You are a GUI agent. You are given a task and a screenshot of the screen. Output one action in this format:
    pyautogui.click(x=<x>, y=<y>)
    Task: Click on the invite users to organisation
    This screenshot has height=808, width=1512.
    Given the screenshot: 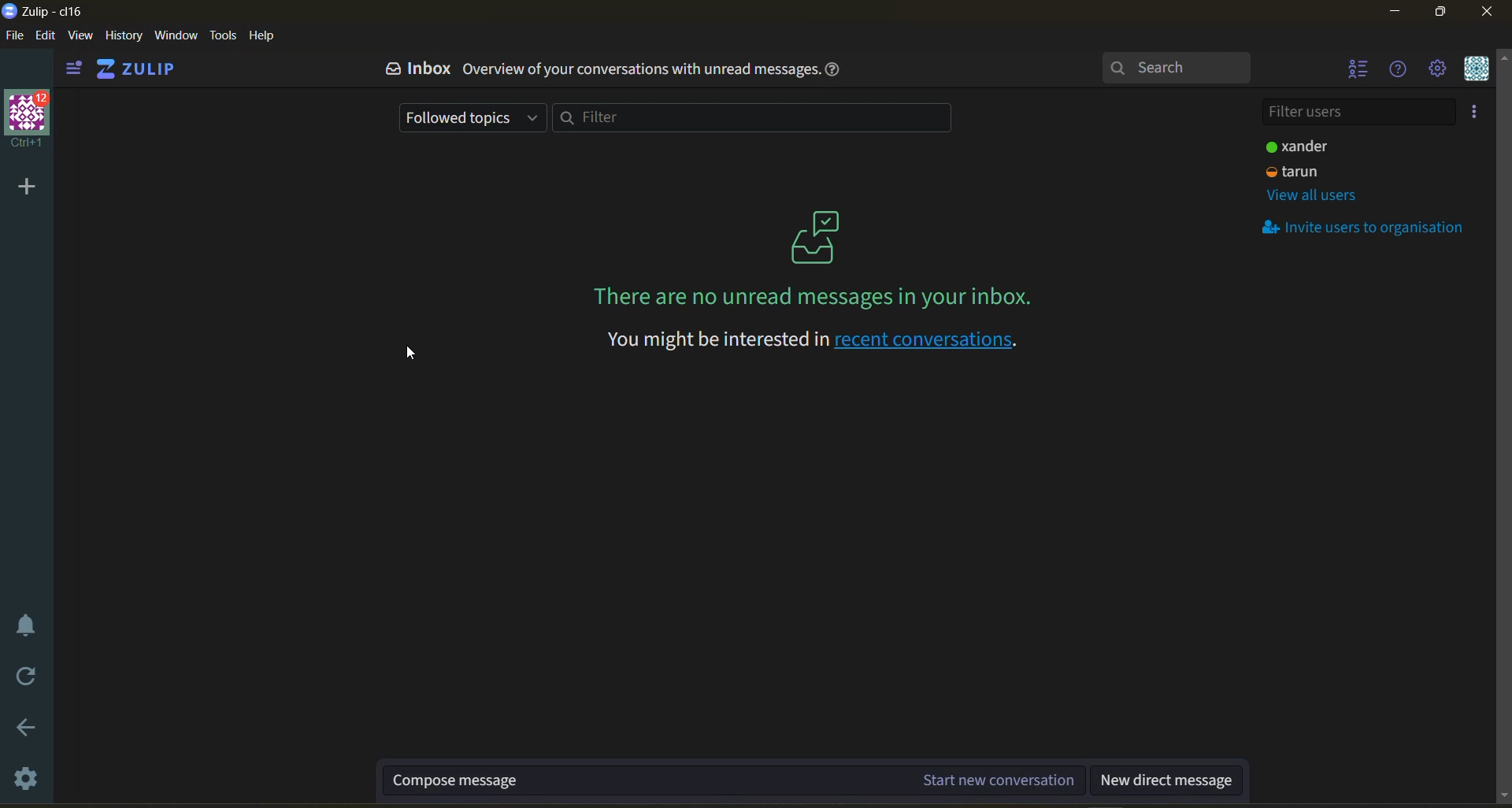 What is the action you would take?
    pyautogui.click(x=1366, y=230)
    